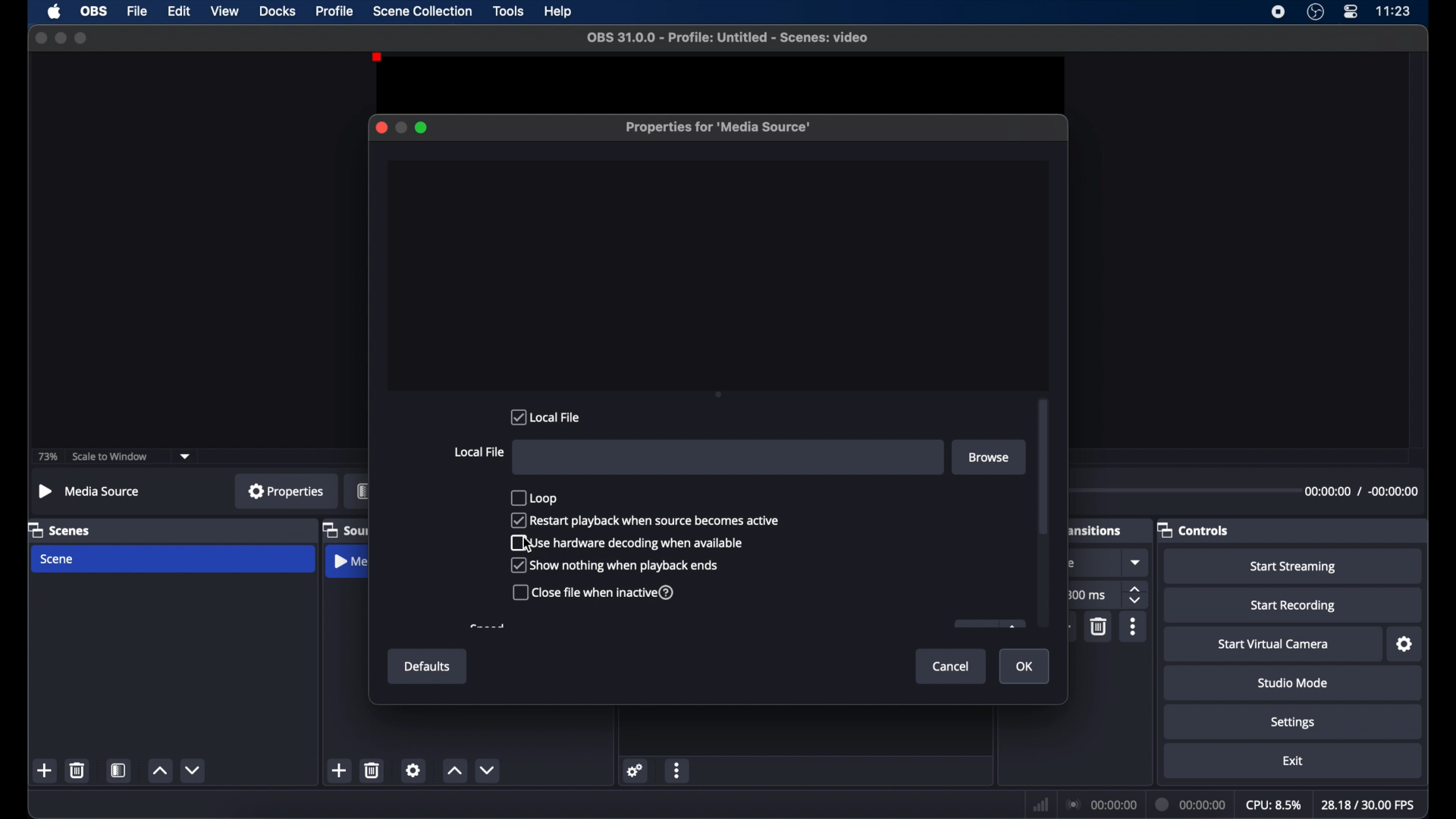 The width and height of the screenshot is (1456, 819). I want to click on settings, so click(635, 771).